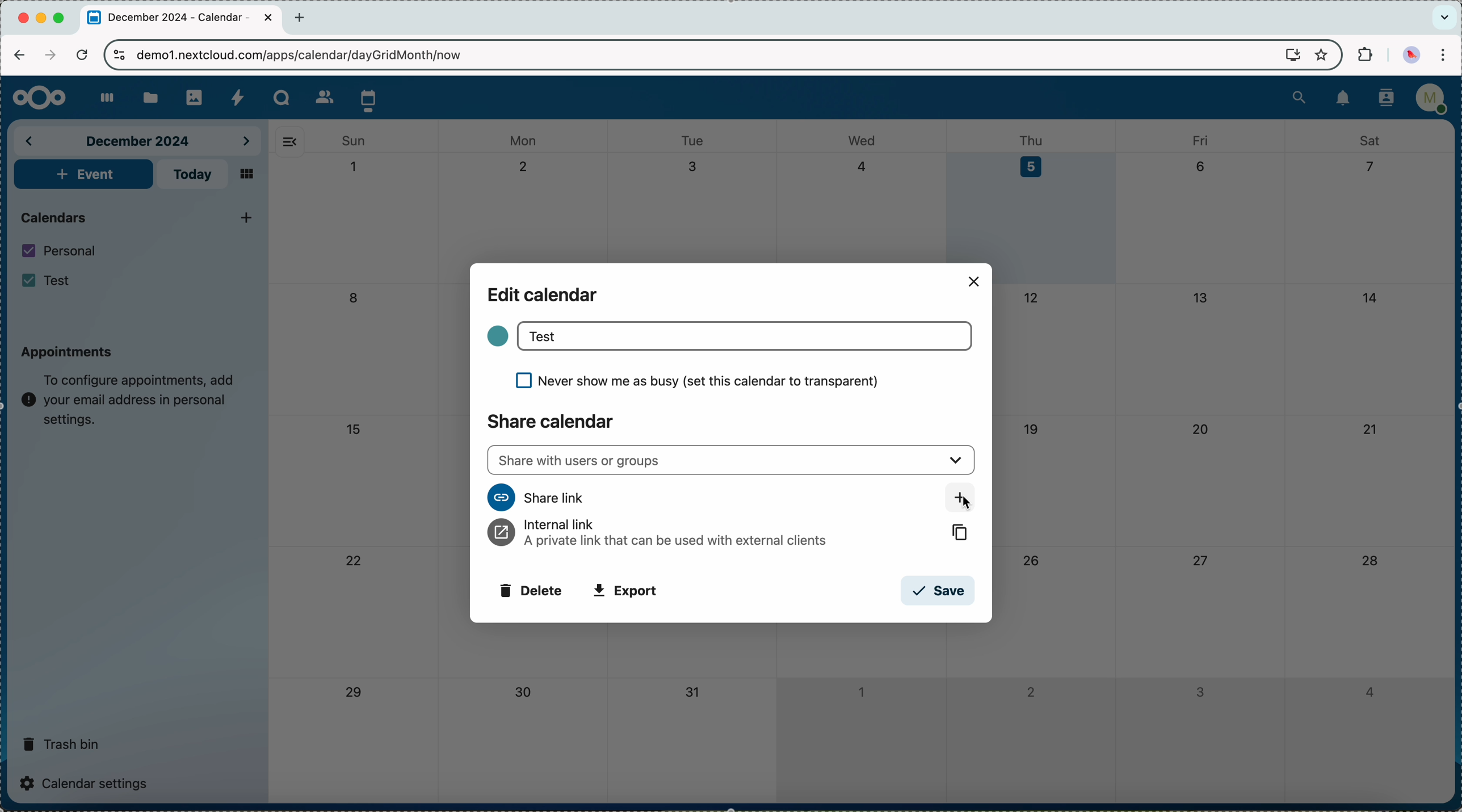 The image size is (1462, 812). Describe the element at coordinates (524, 137) in the screenshot. I see `mon` at that location.